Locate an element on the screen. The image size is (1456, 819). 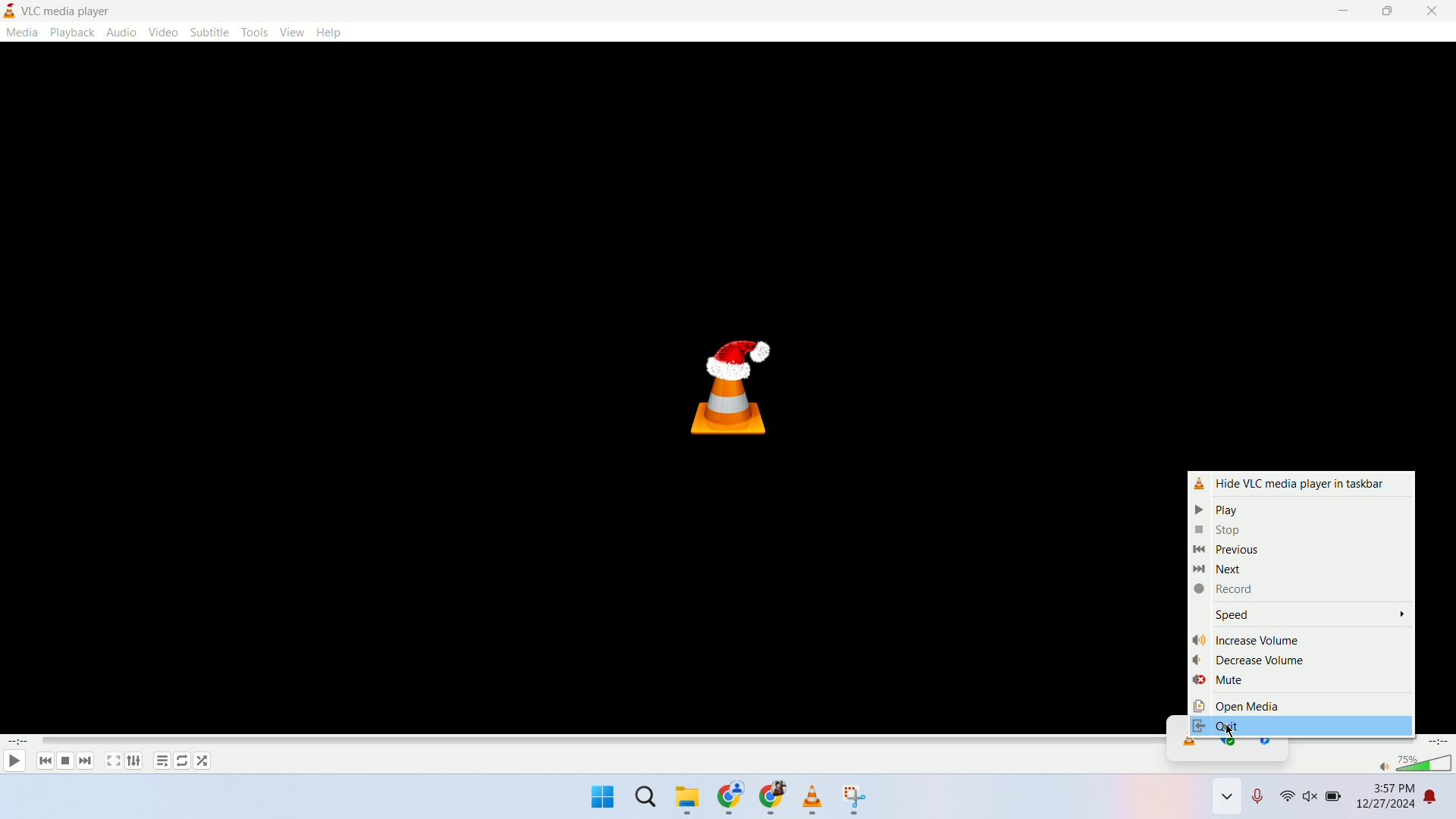
date and time is located at coordinates (1385, 800).